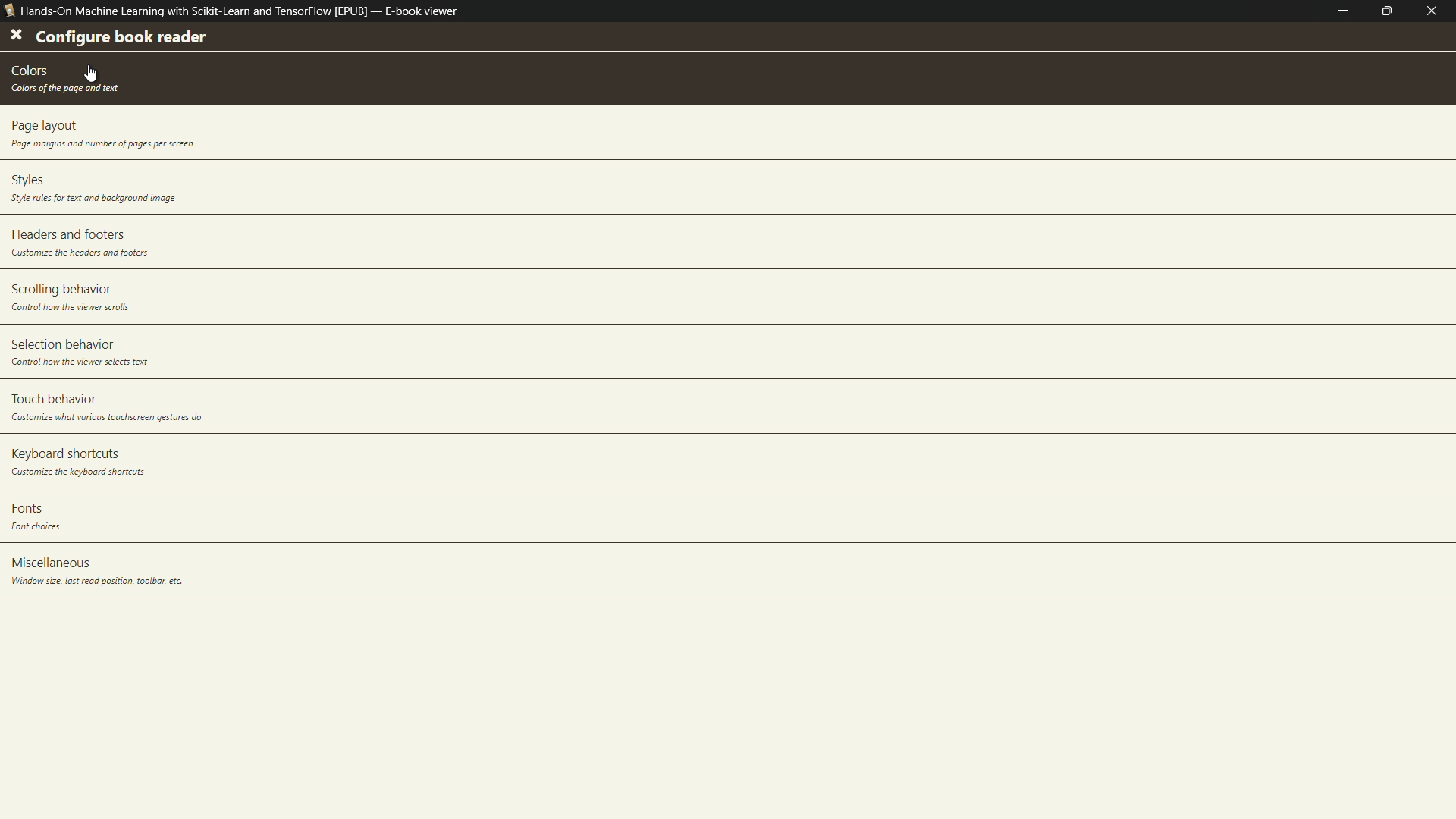 The width and height of the screenshot is (1456, 819). What do you see at coordinates (63, 453) in the screenshot?
I see `keyboard shortcuts` at bounding box center [63, 453].